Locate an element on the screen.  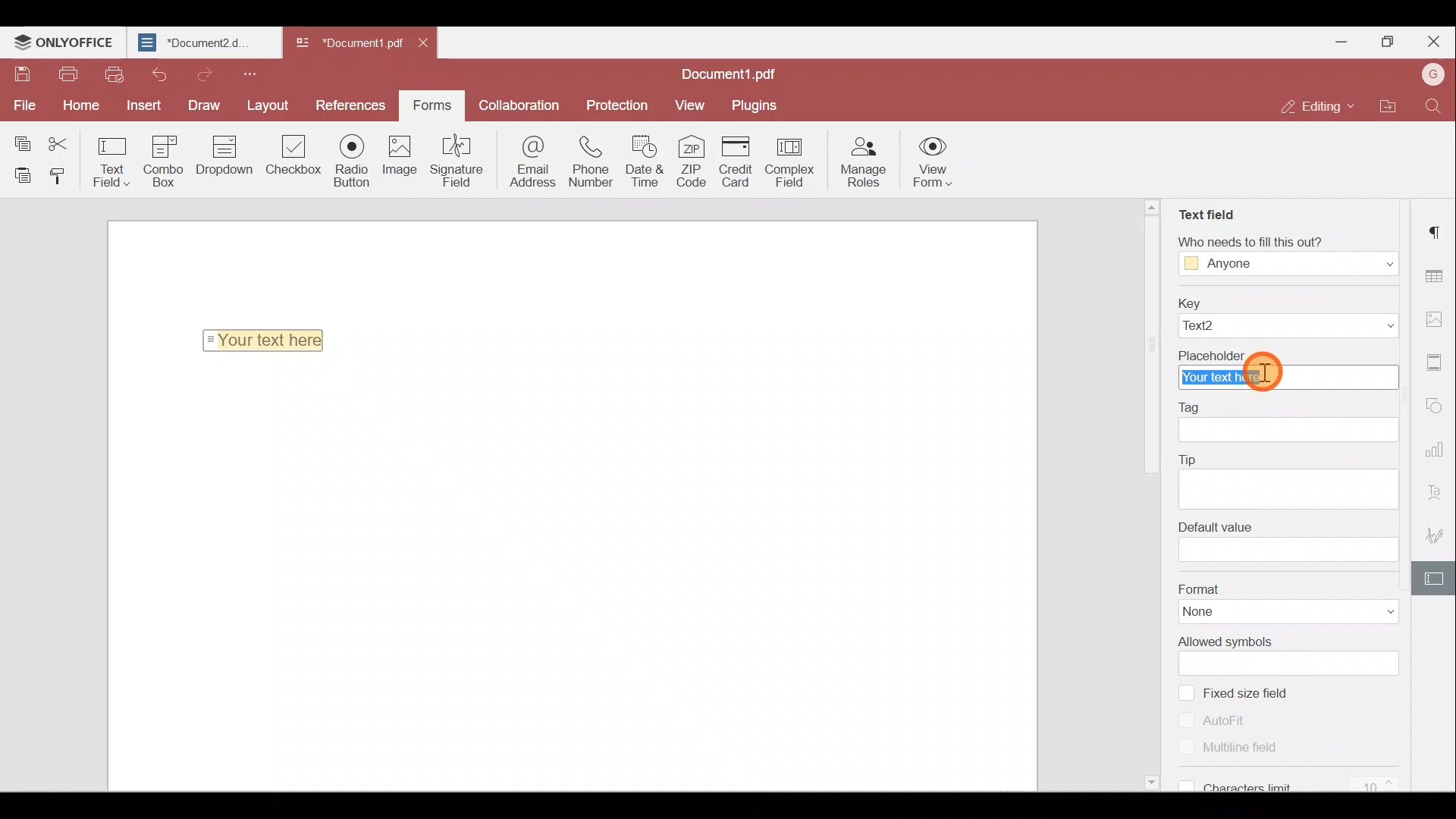
Insert is located at coordinates (142, 104).